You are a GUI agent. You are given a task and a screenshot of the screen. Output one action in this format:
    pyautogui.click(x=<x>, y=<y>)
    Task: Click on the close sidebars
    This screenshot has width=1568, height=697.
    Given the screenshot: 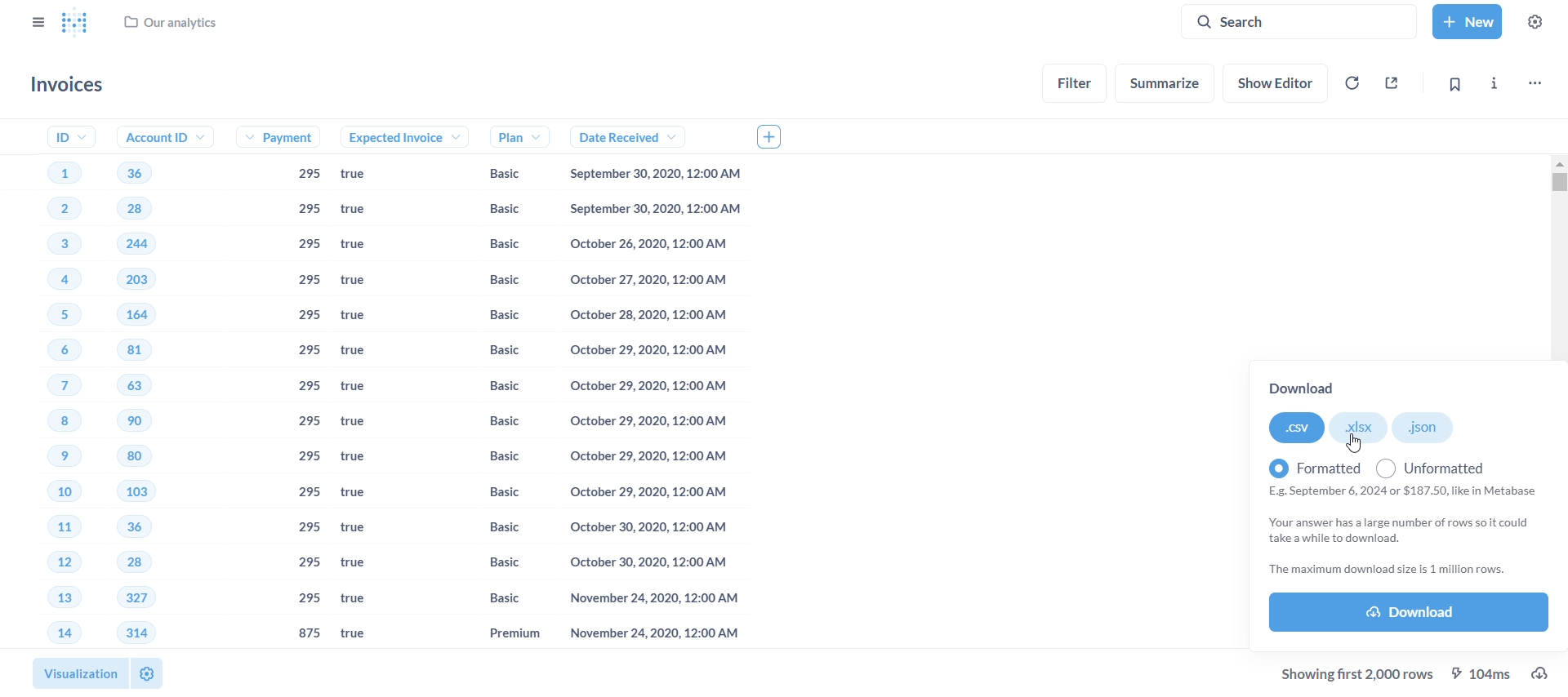 What is the action you would take?
    pyautogui.click(x=36, y=20)
    